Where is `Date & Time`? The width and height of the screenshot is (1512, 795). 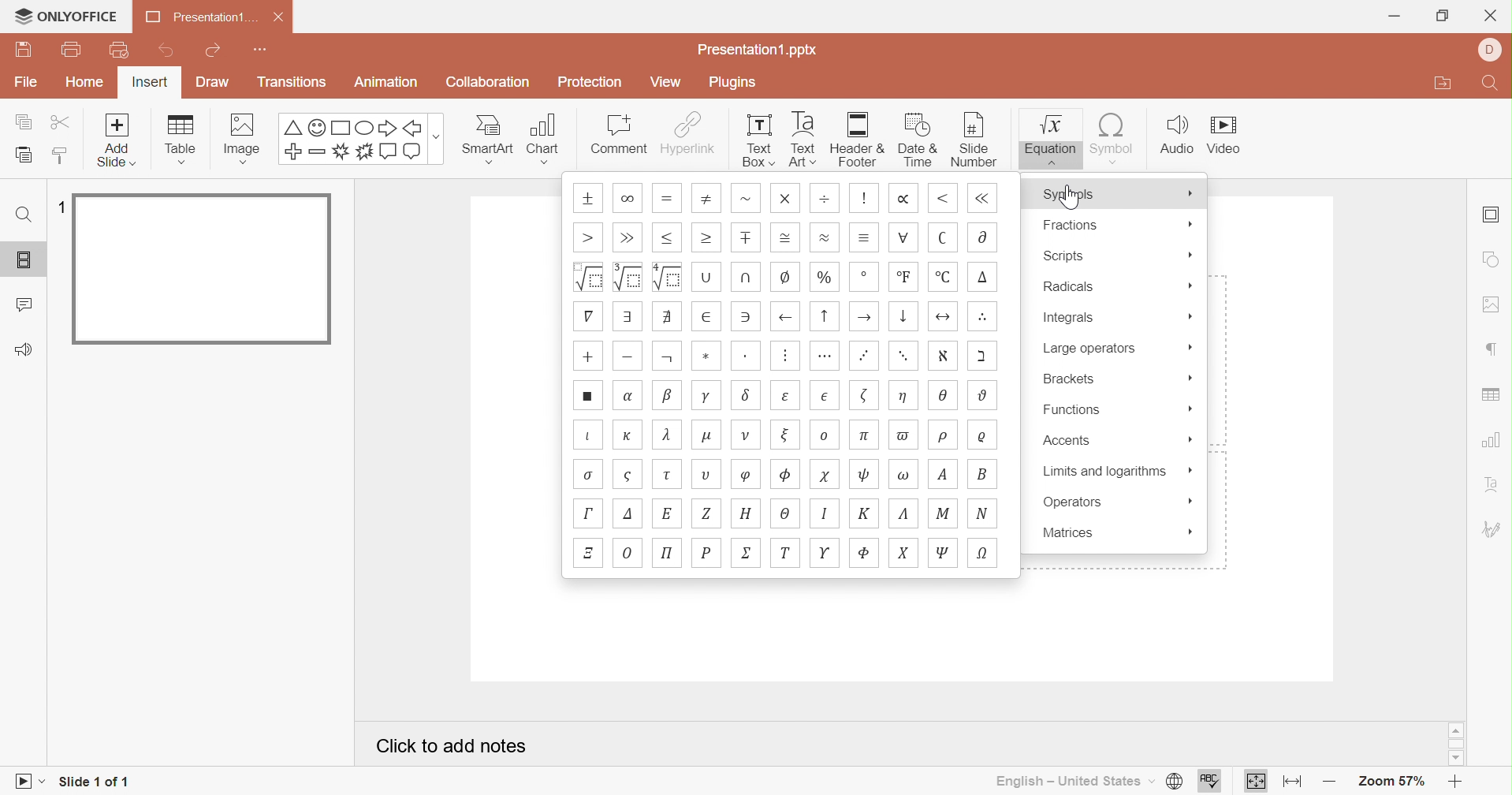
Date & Time is located at coordinates (919, 139).